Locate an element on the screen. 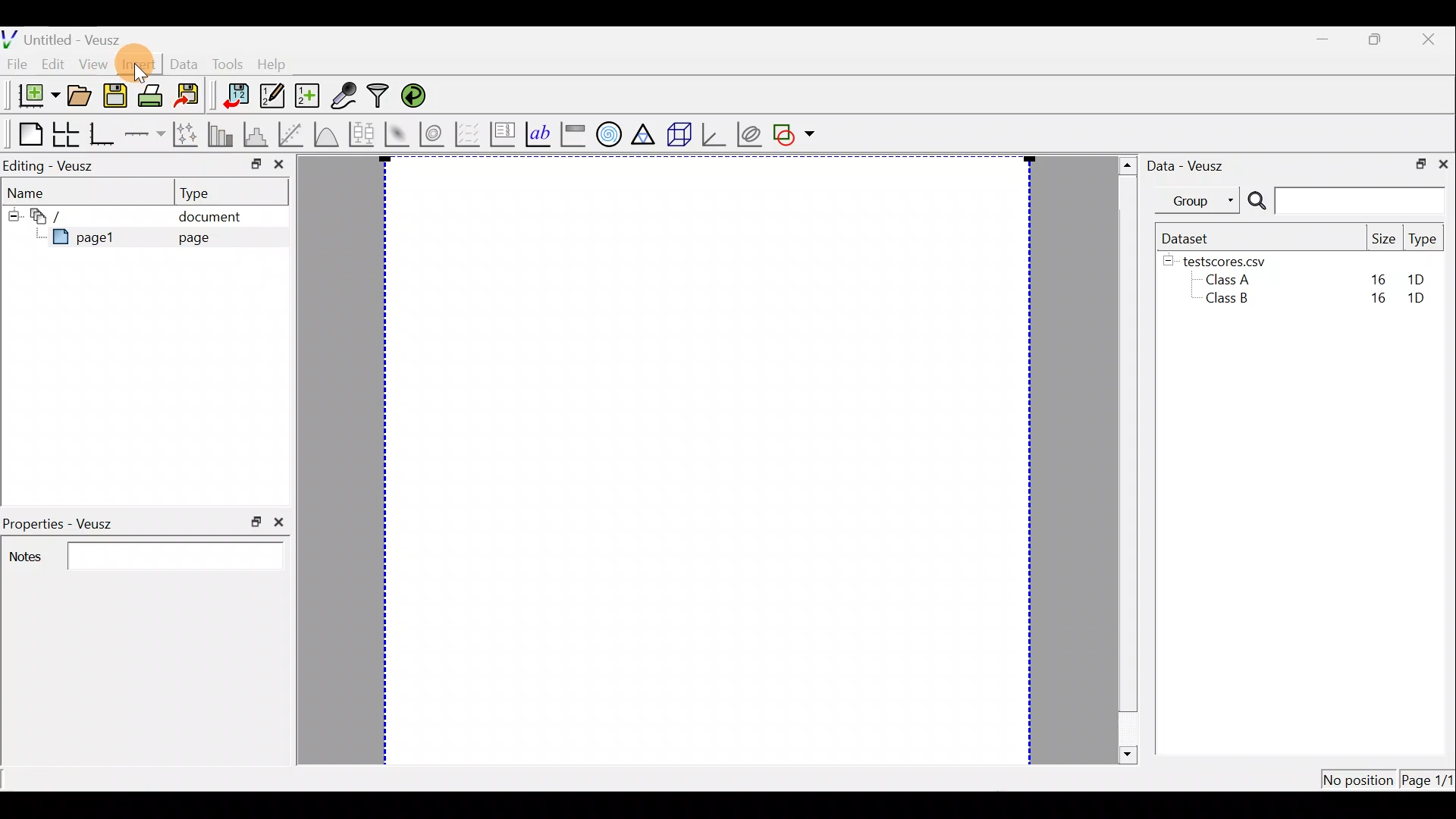 Image resolution: width=1456 pixels, height=819 pixels. Close is located at coordinates (1445, 165).